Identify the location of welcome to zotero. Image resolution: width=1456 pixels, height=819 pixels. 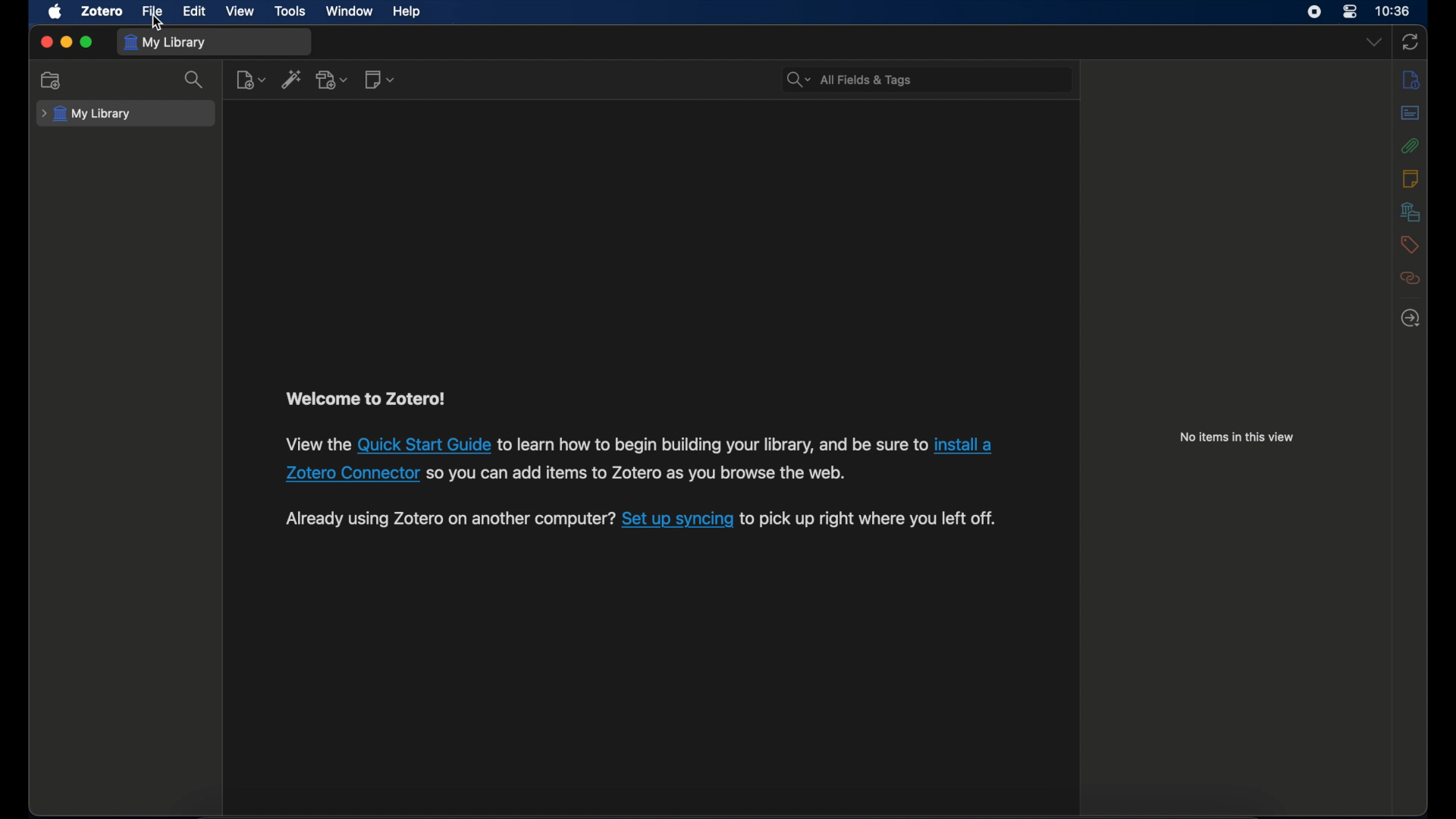
(368, 399).